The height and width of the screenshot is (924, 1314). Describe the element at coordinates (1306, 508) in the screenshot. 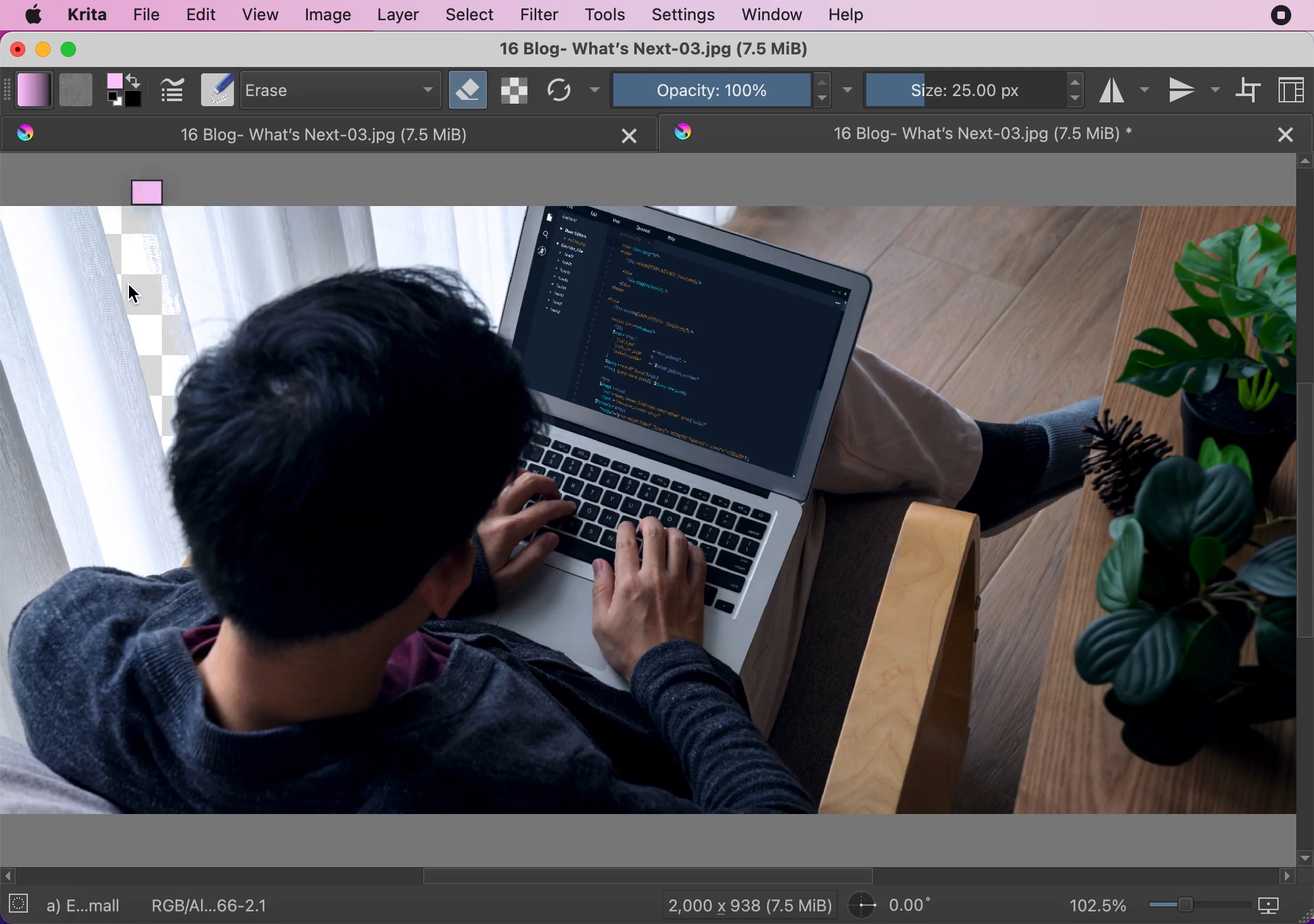

I see `scroll vertical bar` at that location.